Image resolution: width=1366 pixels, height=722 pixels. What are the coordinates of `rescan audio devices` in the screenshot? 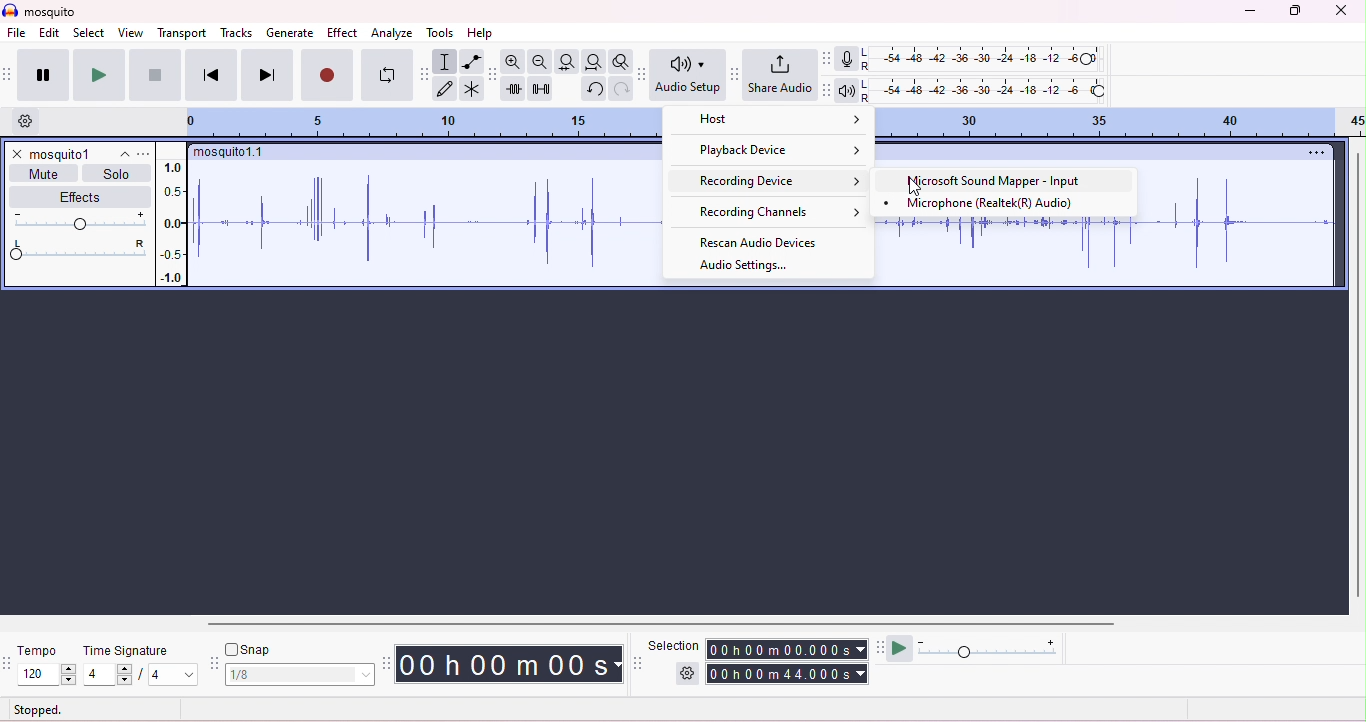 It's located at (761, 240).